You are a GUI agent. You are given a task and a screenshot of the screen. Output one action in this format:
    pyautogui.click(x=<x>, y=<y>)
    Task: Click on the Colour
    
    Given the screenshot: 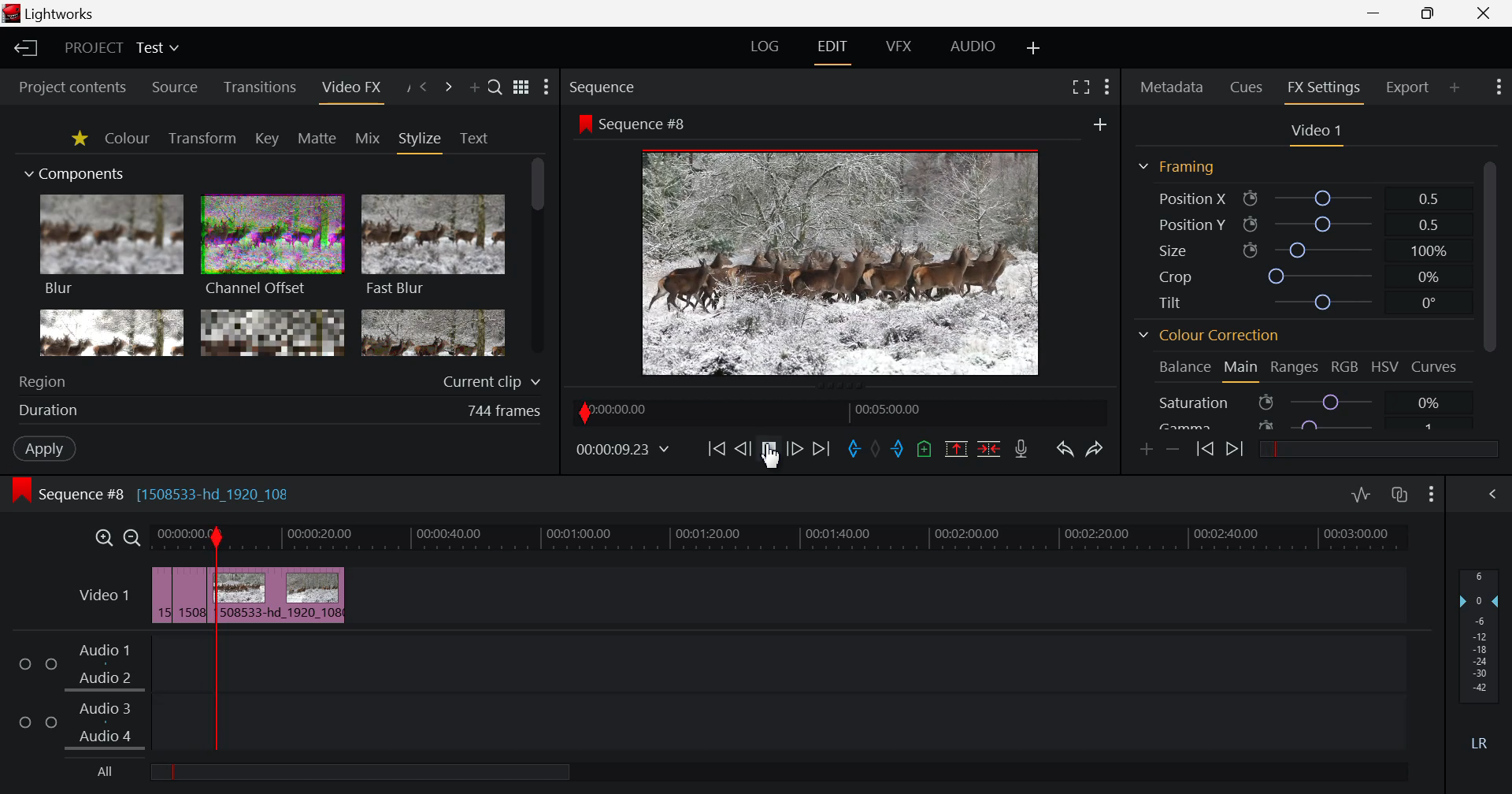 What is the action you would take?
    pyautogui.click(x=128, y=138)
    